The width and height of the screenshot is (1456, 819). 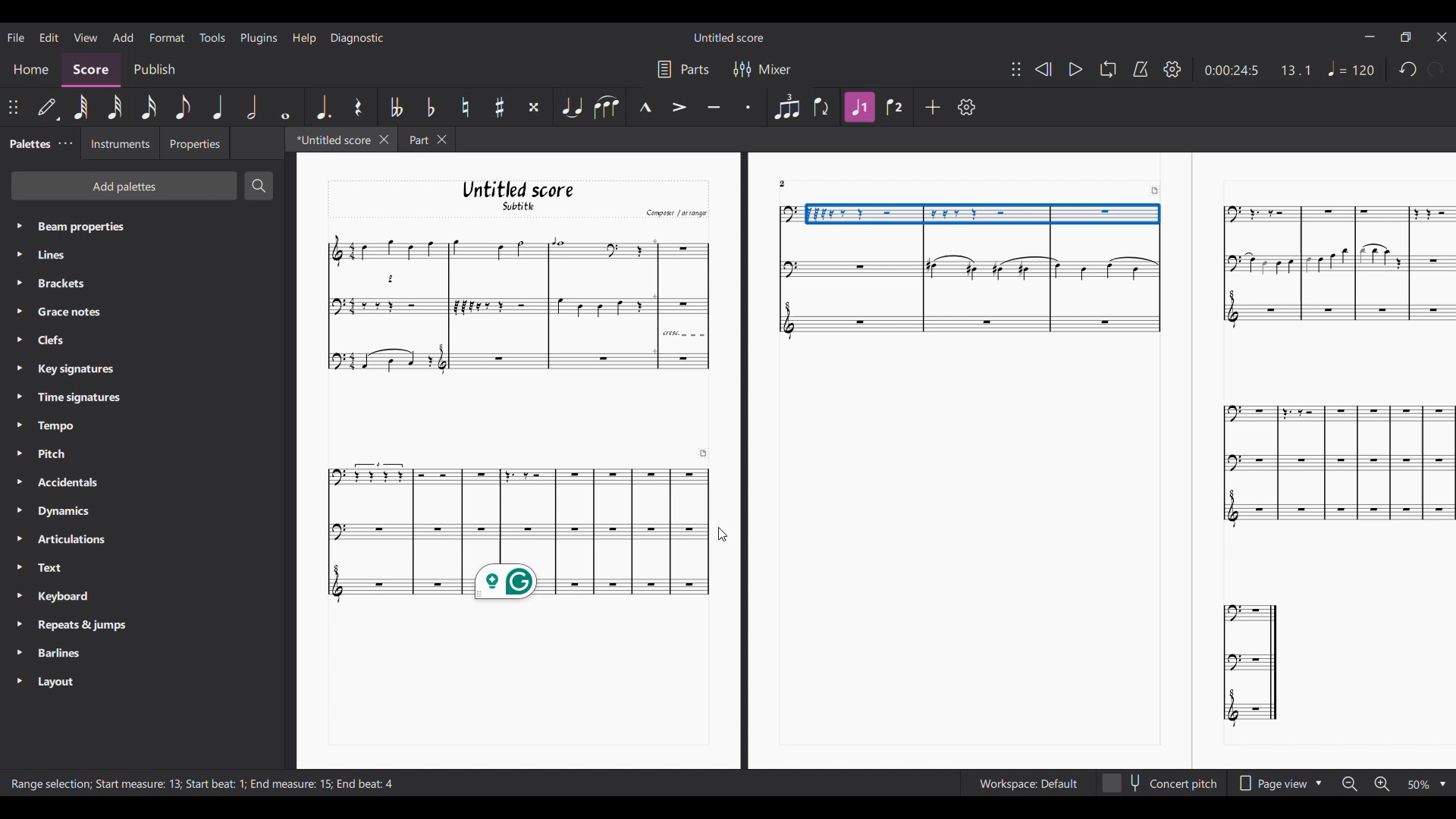 What do you see at coordinates (58, 598) in the screenshot?
I see `> Keyboard` at bounding box center [58, 598].